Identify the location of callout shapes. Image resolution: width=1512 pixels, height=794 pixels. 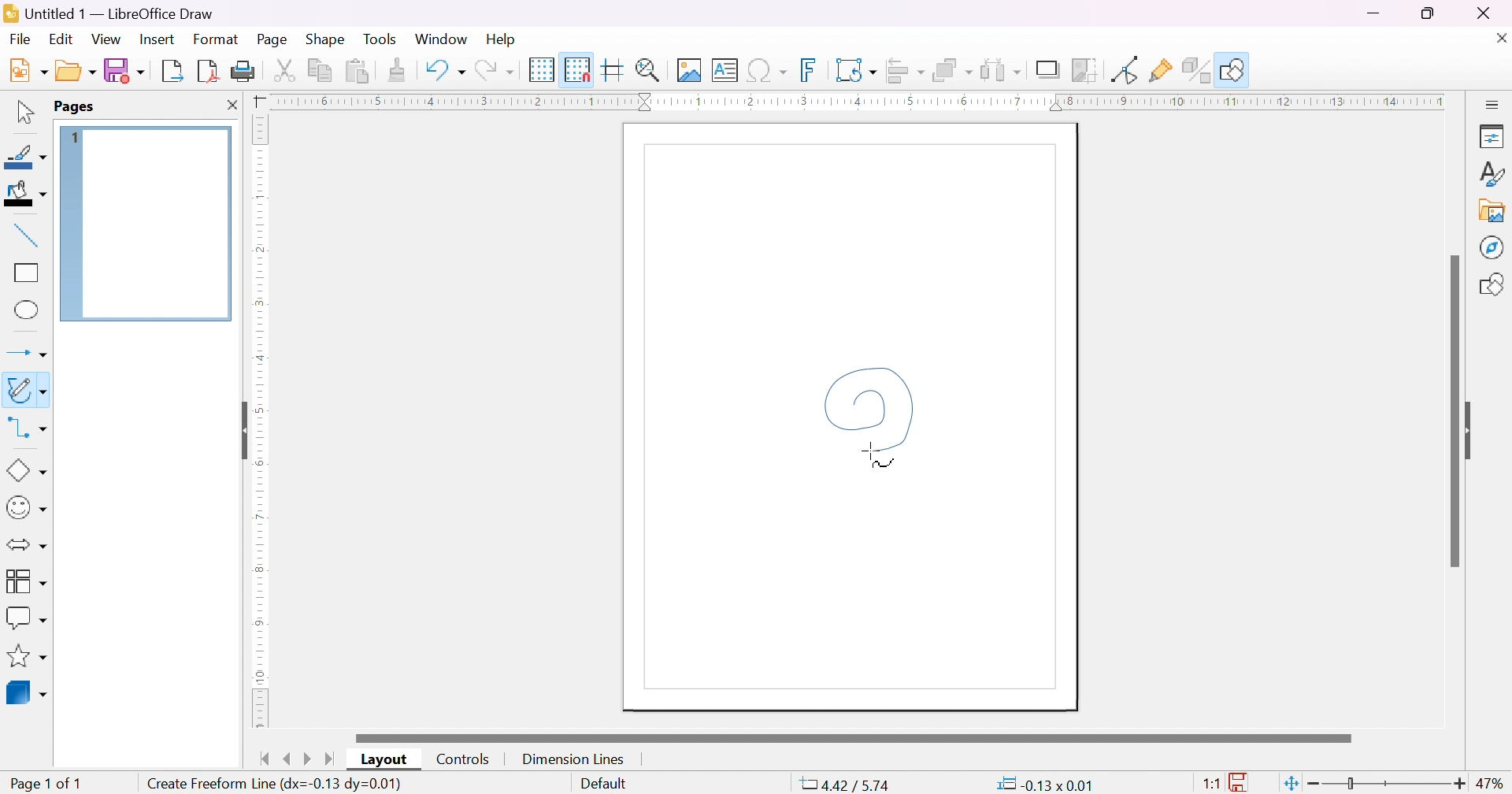
(27, 617).